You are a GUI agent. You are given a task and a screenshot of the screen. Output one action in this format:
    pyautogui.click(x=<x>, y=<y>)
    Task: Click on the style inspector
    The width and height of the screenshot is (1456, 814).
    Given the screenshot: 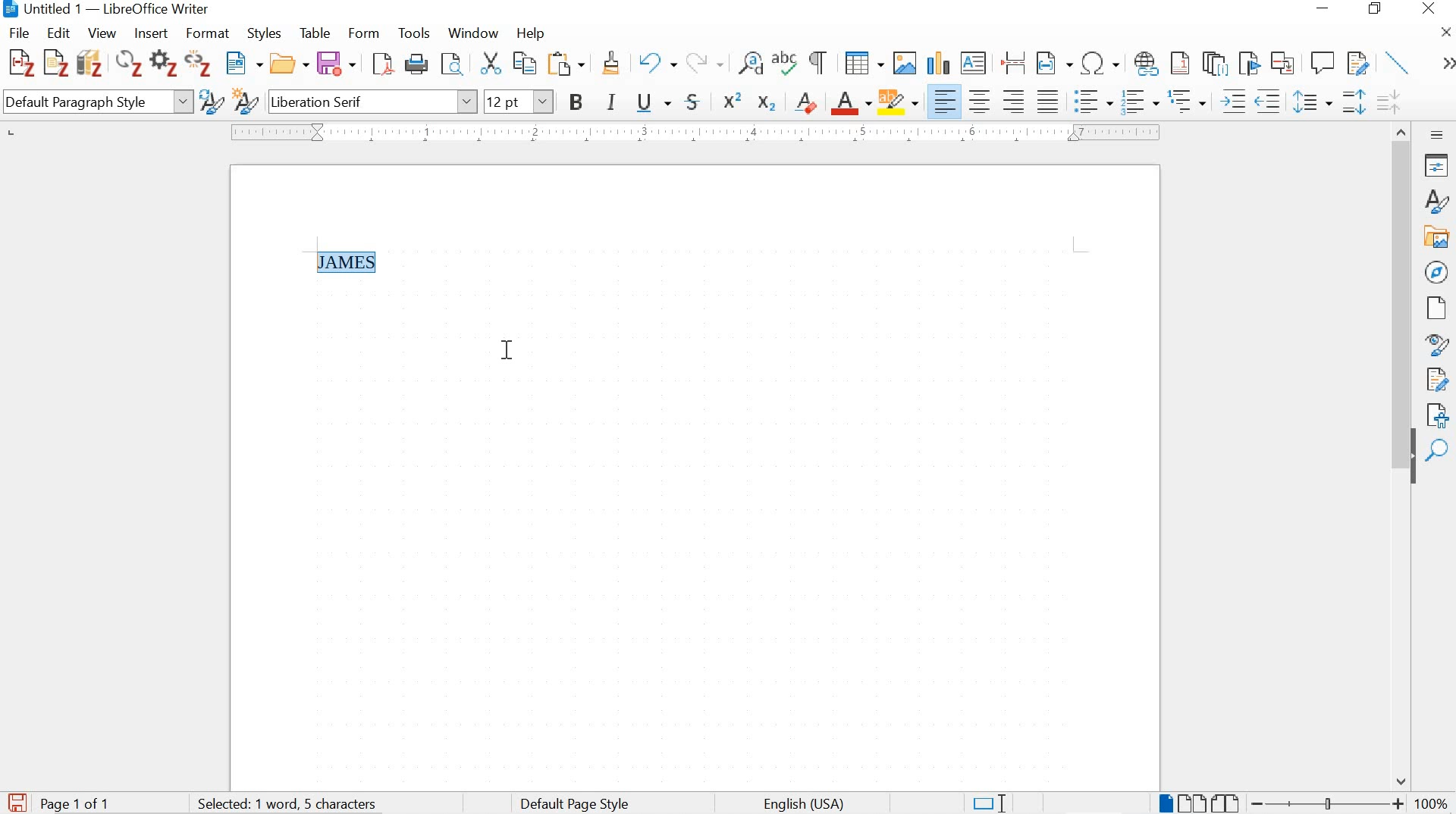 What is the action you would take?
    pyautogui.click(x=1437, y=346)
    